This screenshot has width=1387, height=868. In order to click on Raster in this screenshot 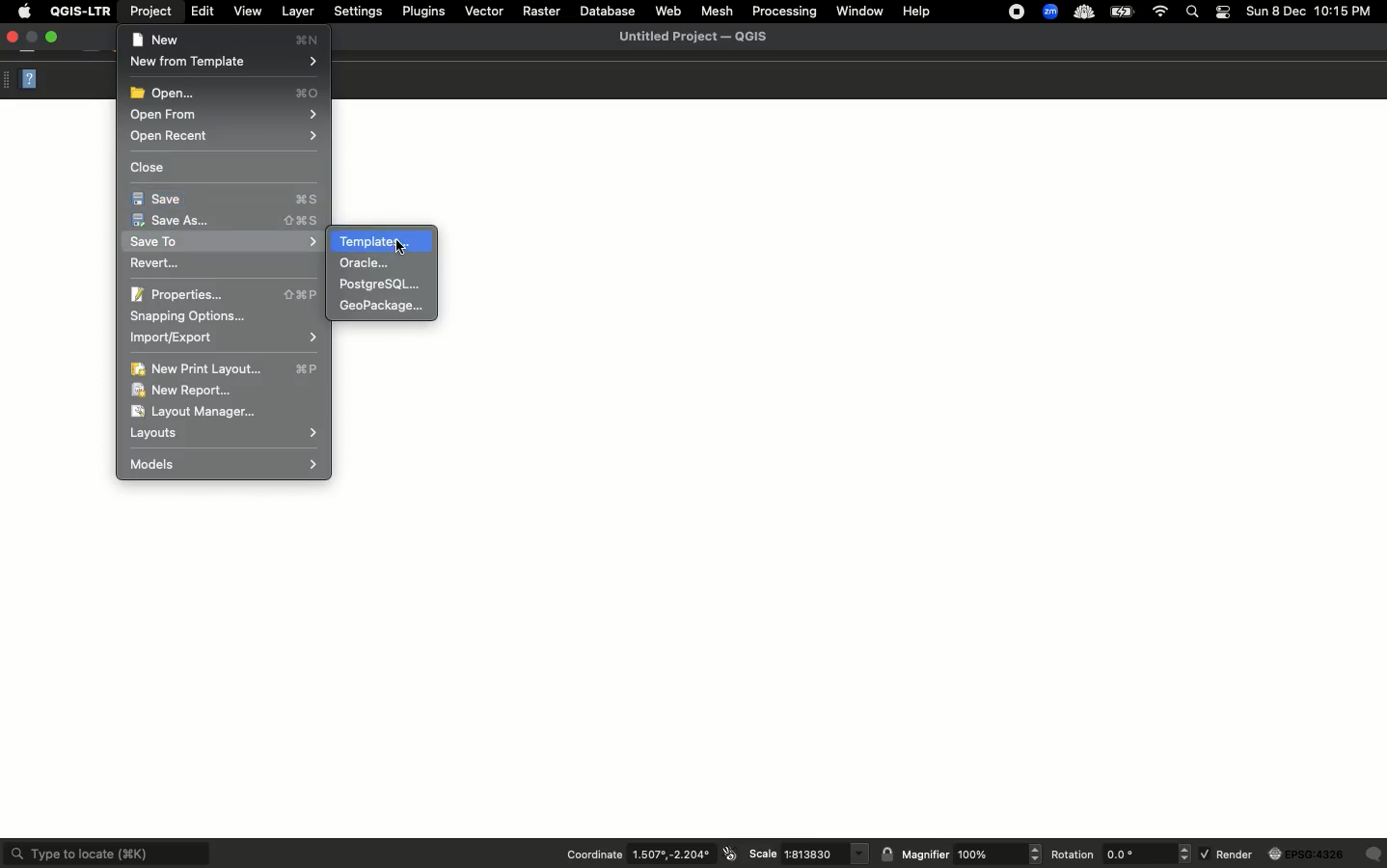, I will do `click(542, 10)`.